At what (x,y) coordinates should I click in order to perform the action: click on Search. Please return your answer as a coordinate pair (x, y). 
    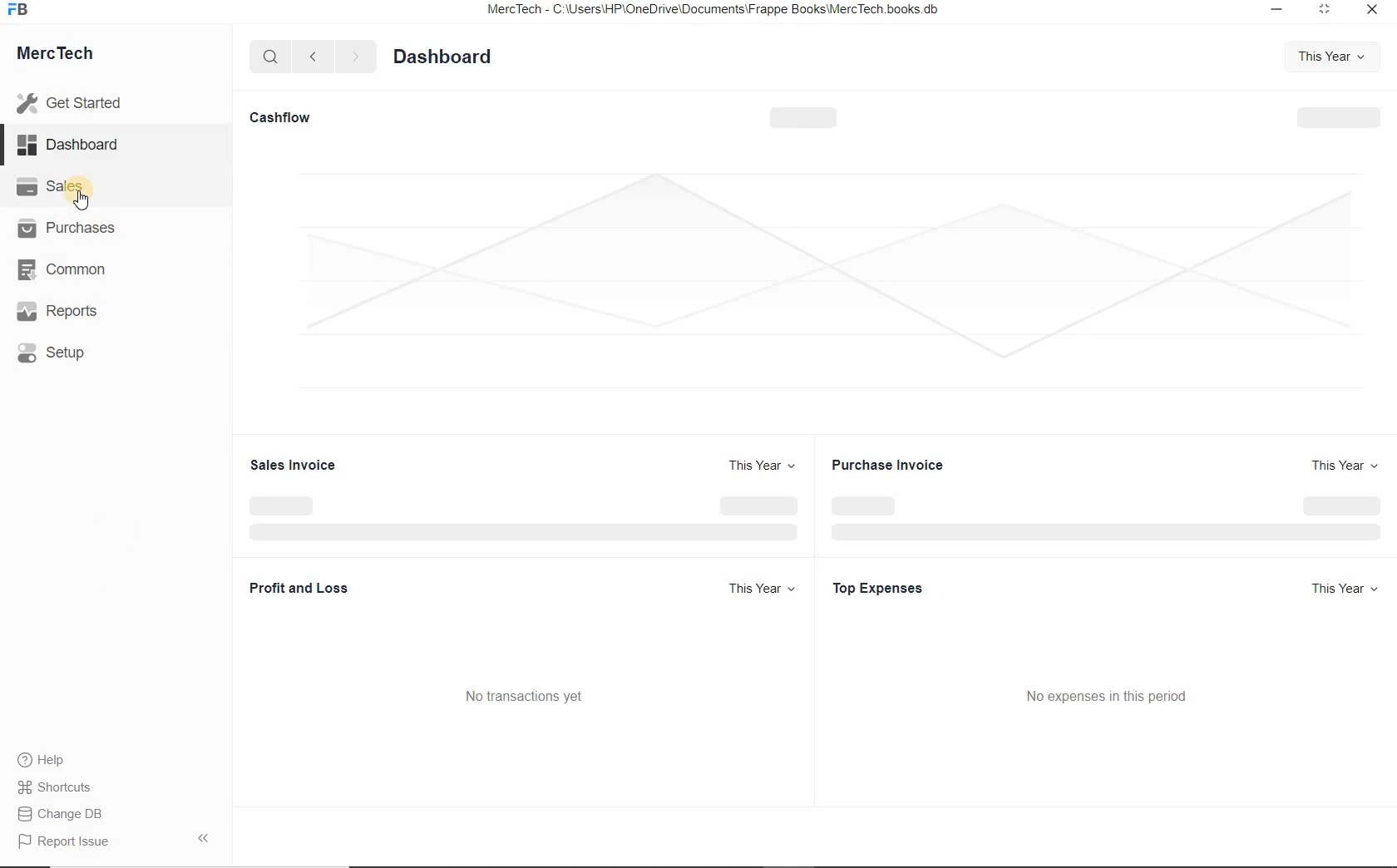
    Looking at the image, I should click on (272, 57).